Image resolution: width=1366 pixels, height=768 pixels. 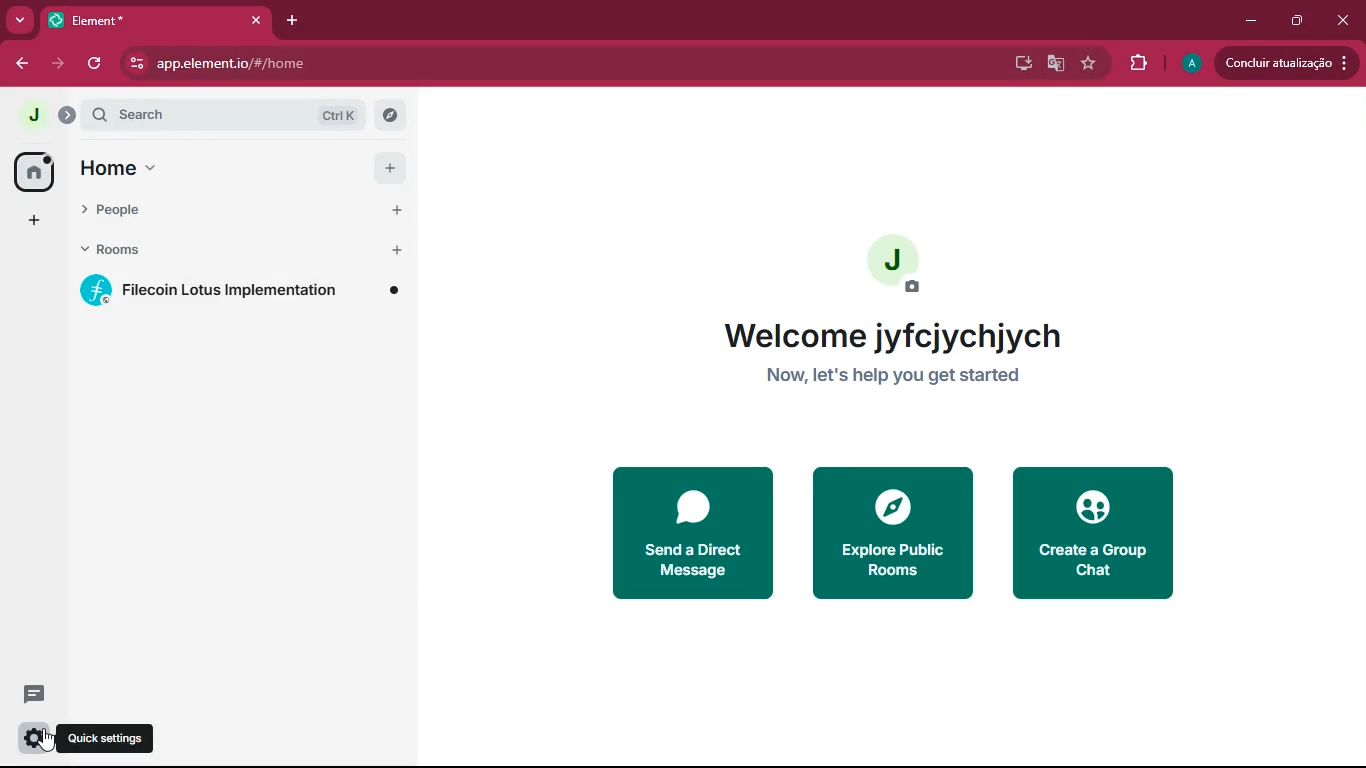 I want to click on Cursor, so click(x=47, y=741).